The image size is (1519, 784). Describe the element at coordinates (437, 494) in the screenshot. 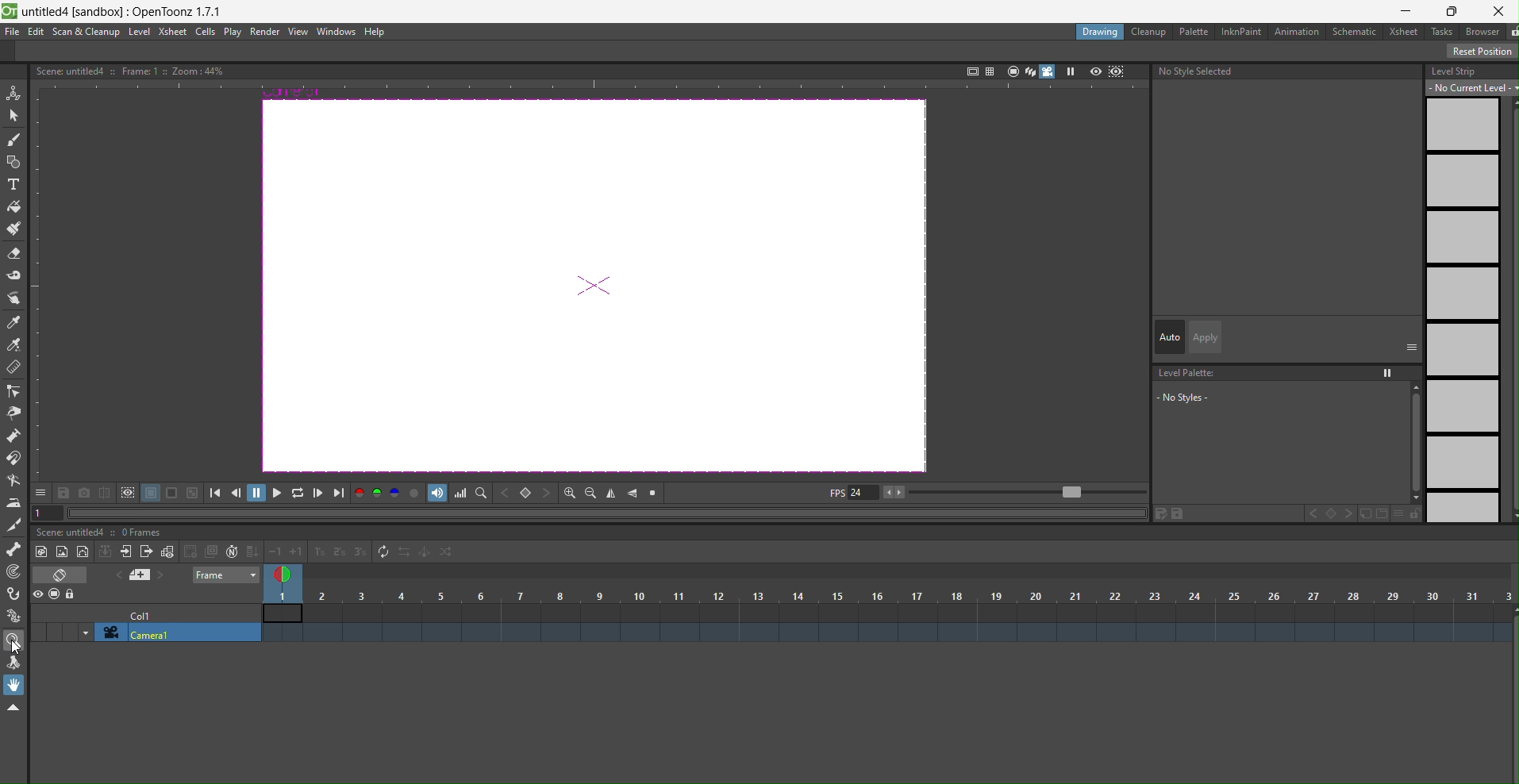

I see `audio` at that location.